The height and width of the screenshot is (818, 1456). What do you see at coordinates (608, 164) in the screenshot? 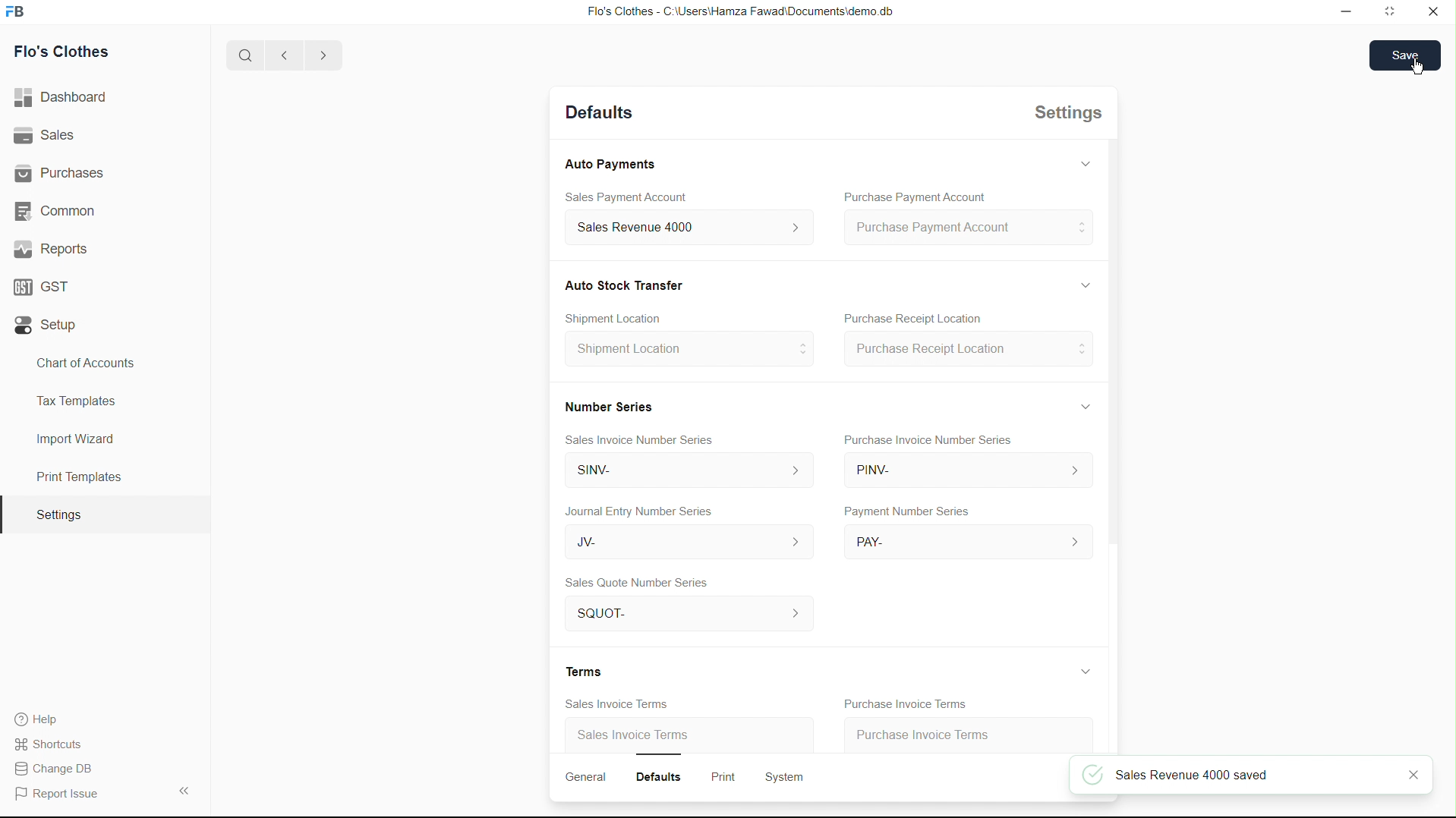
I see `Auto Payments` at bounding box center [608, 164].